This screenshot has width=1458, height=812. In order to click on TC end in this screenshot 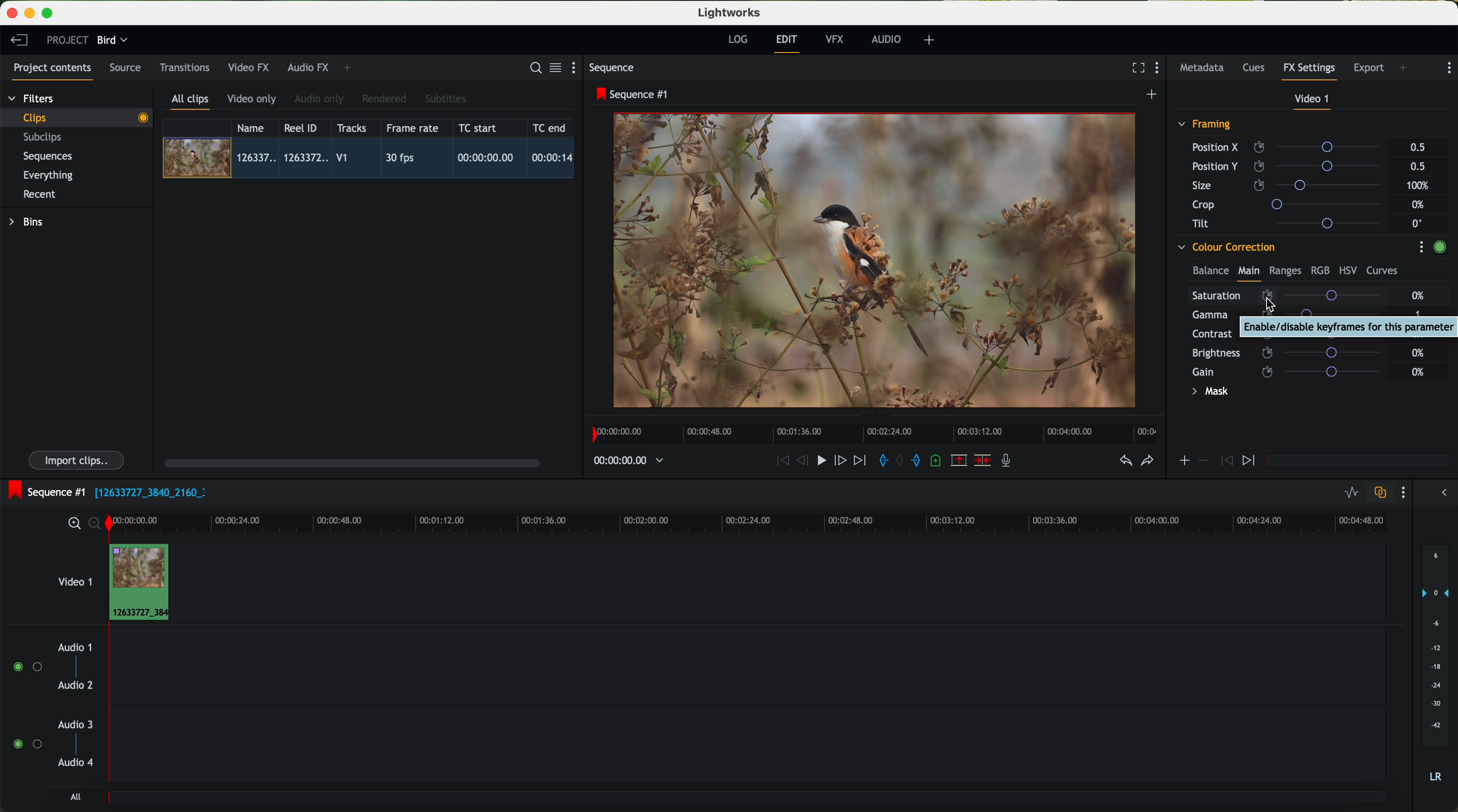, I will do `click(550, 127)`.